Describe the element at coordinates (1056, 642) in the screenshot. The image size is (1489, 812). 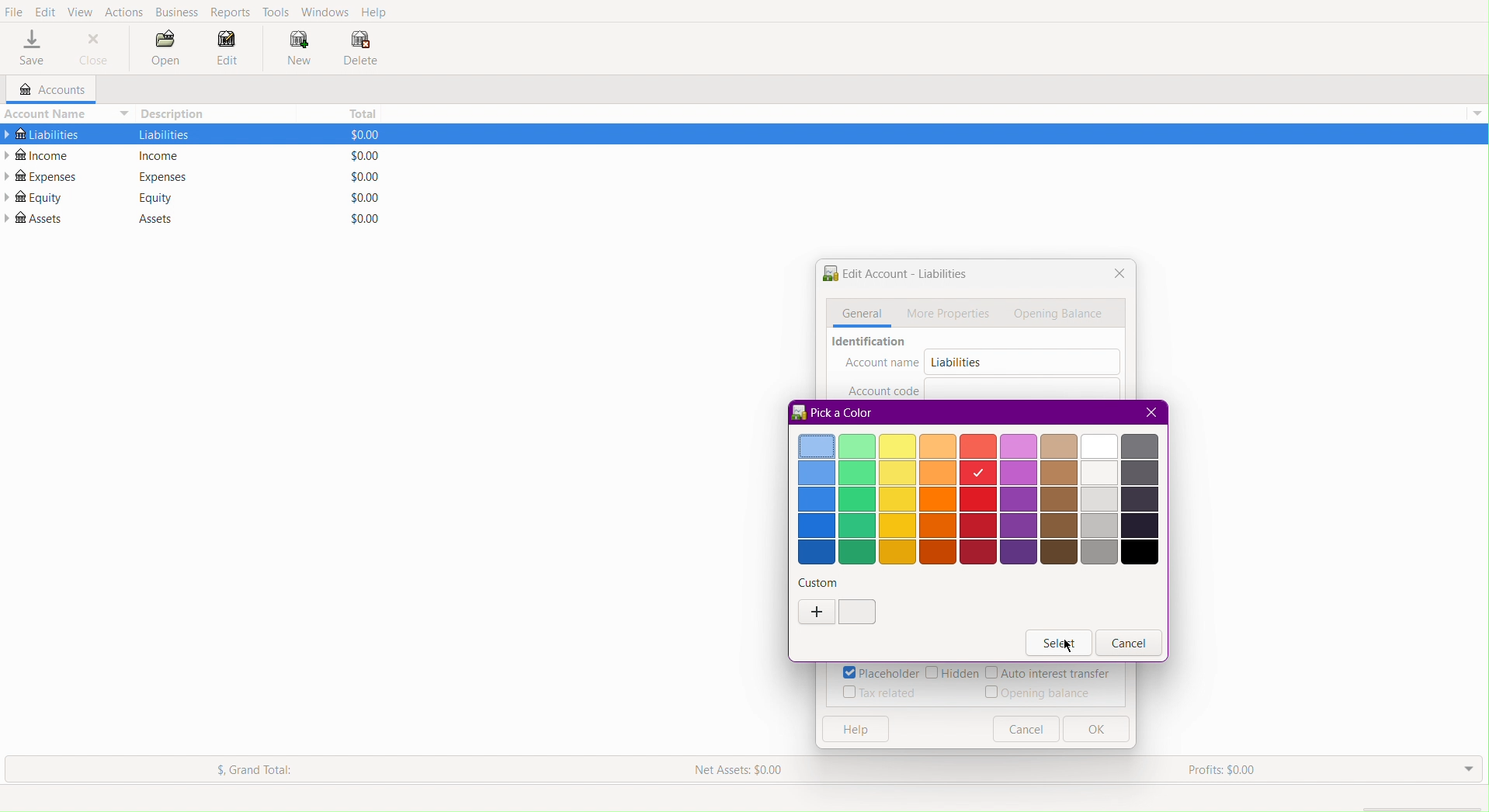
I see `Select` at that location.